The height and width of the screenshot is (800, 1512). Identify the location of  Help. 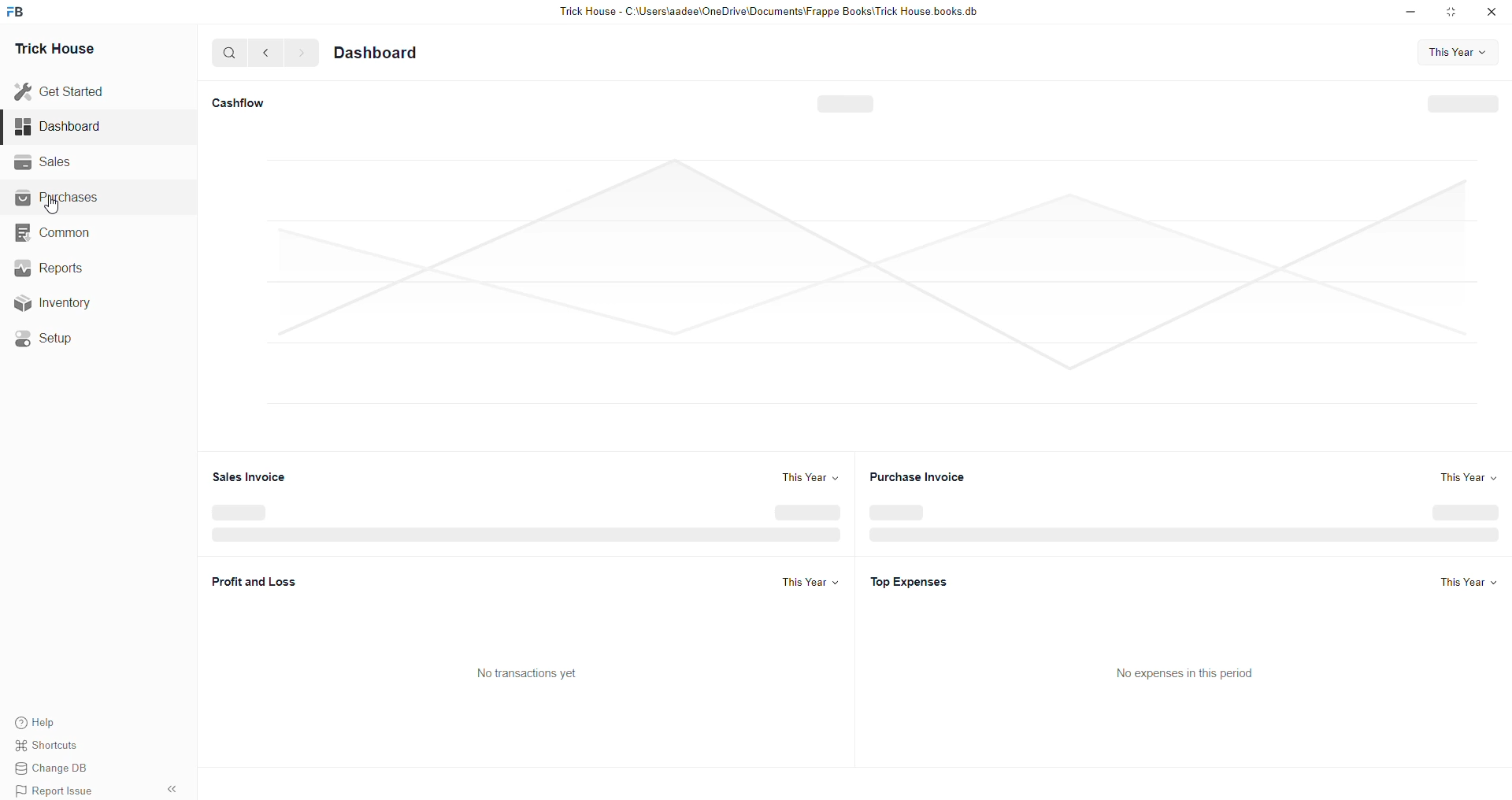
(59, 720).